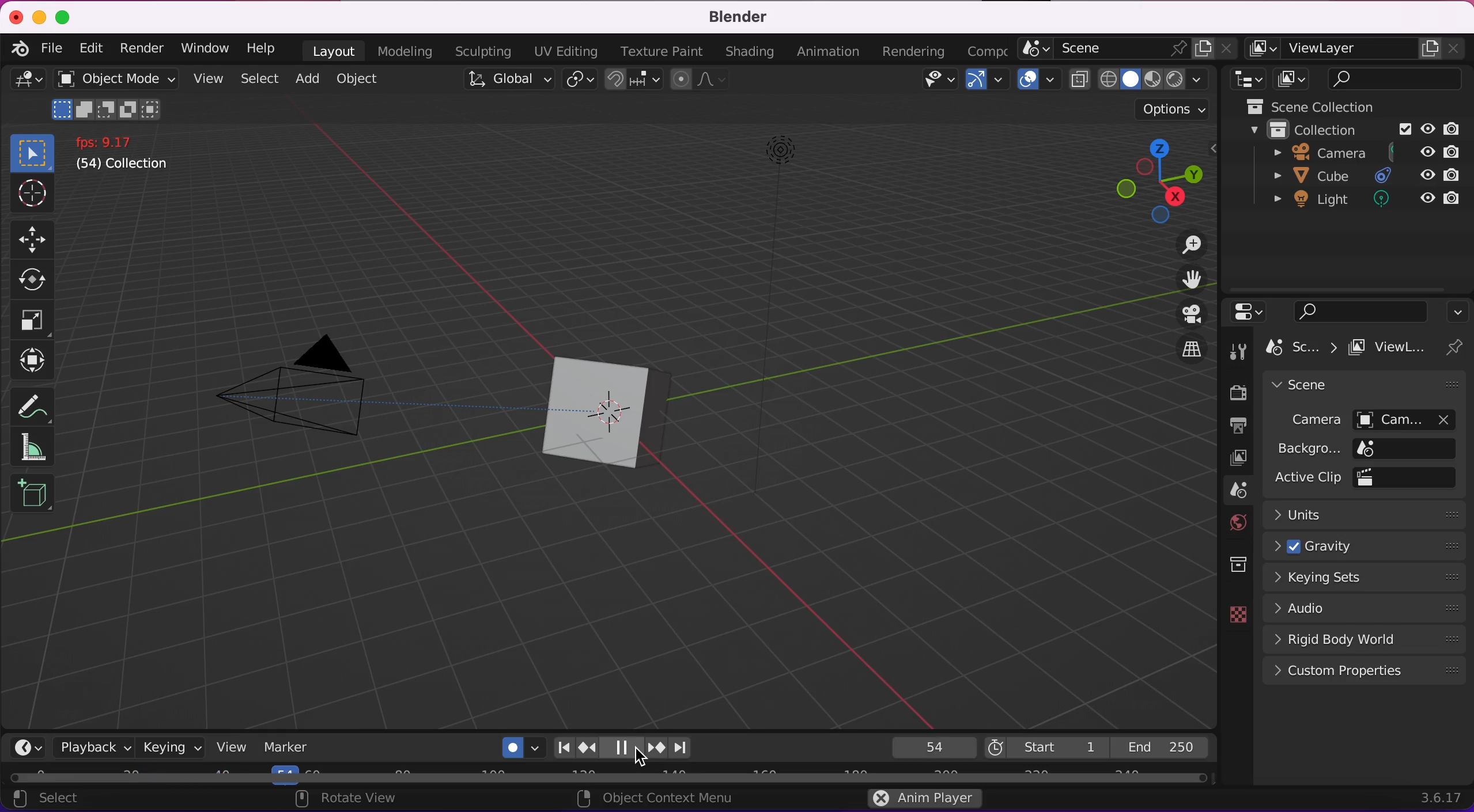 This screenshot has width=1474, height=812. Describe the element at coordinates (52, 800) in the screenshot. I see `select` at that location.